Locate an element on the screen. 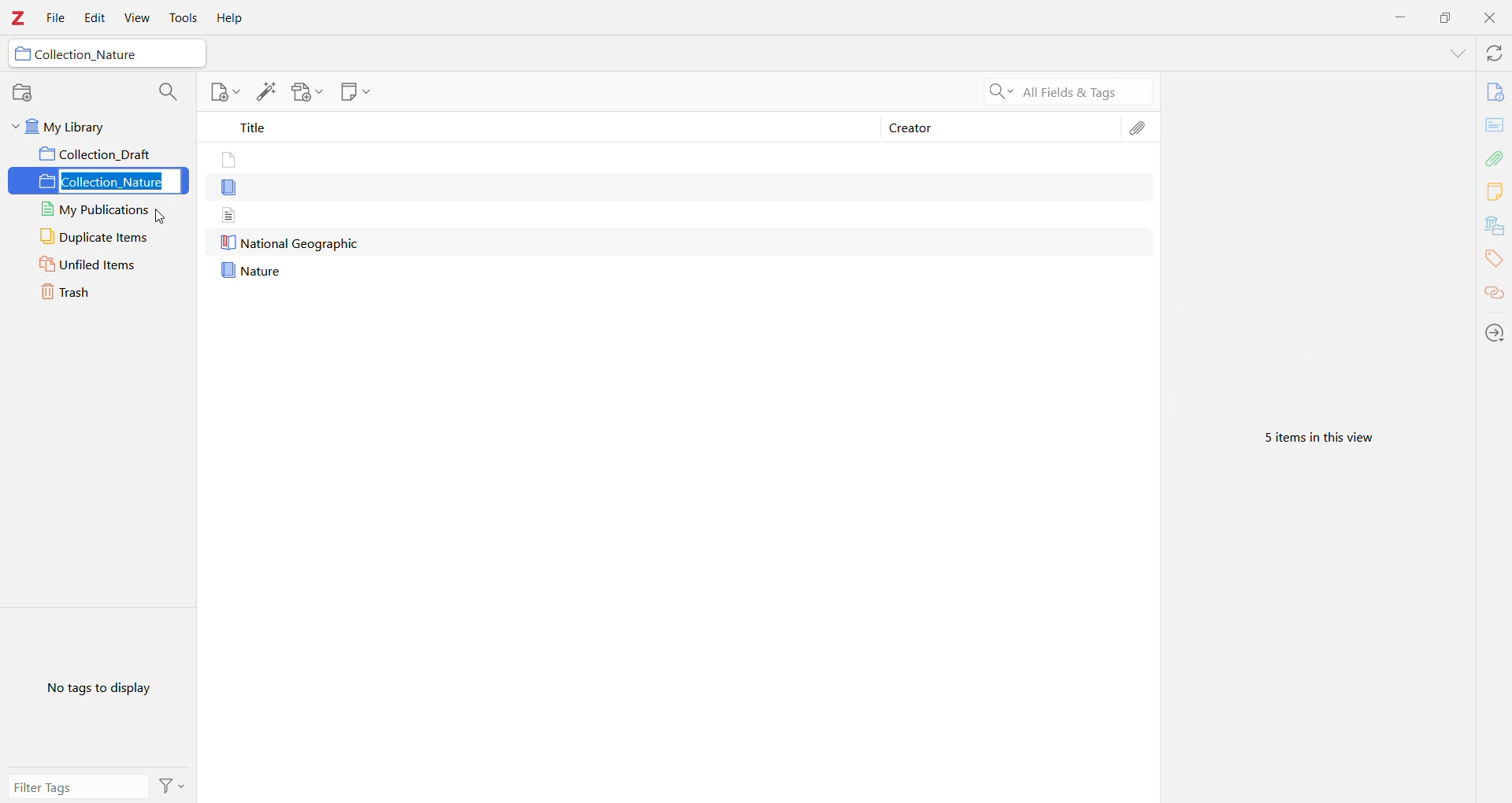  Locate is located at coordinates (1495, 332).